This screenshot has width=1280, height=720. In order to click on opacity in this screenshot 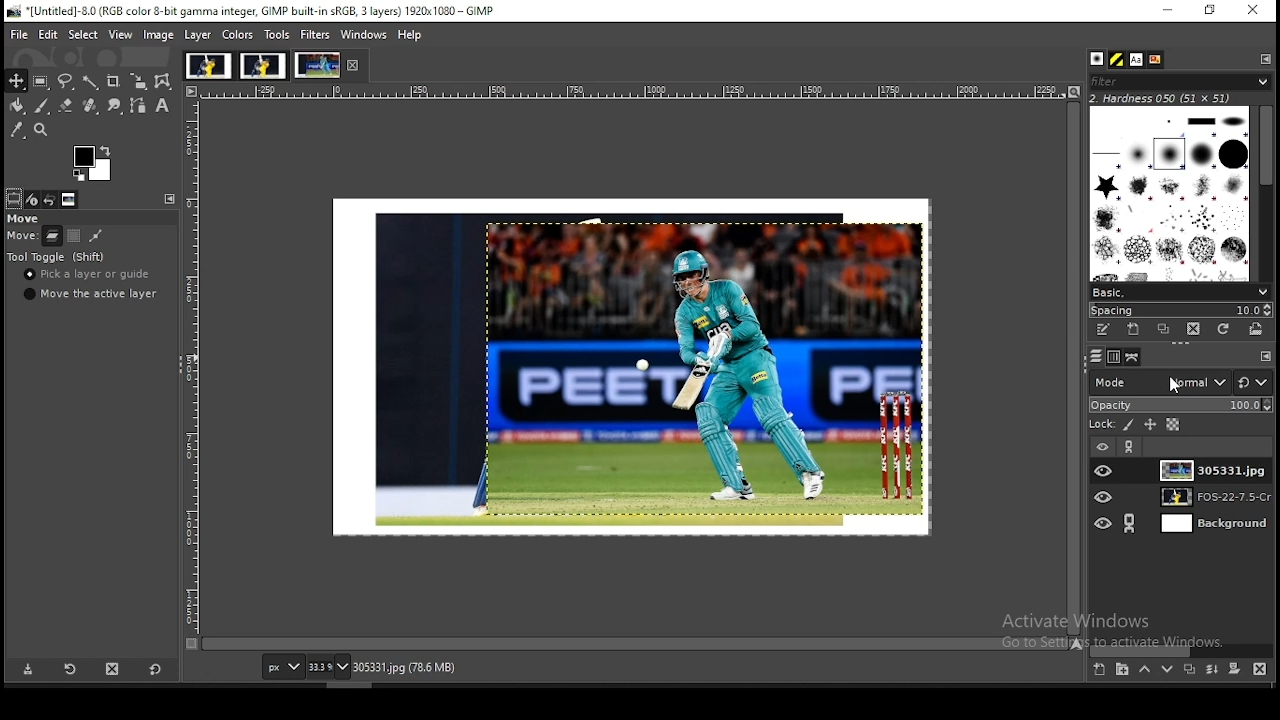, I will do `click(1181, 405)`.